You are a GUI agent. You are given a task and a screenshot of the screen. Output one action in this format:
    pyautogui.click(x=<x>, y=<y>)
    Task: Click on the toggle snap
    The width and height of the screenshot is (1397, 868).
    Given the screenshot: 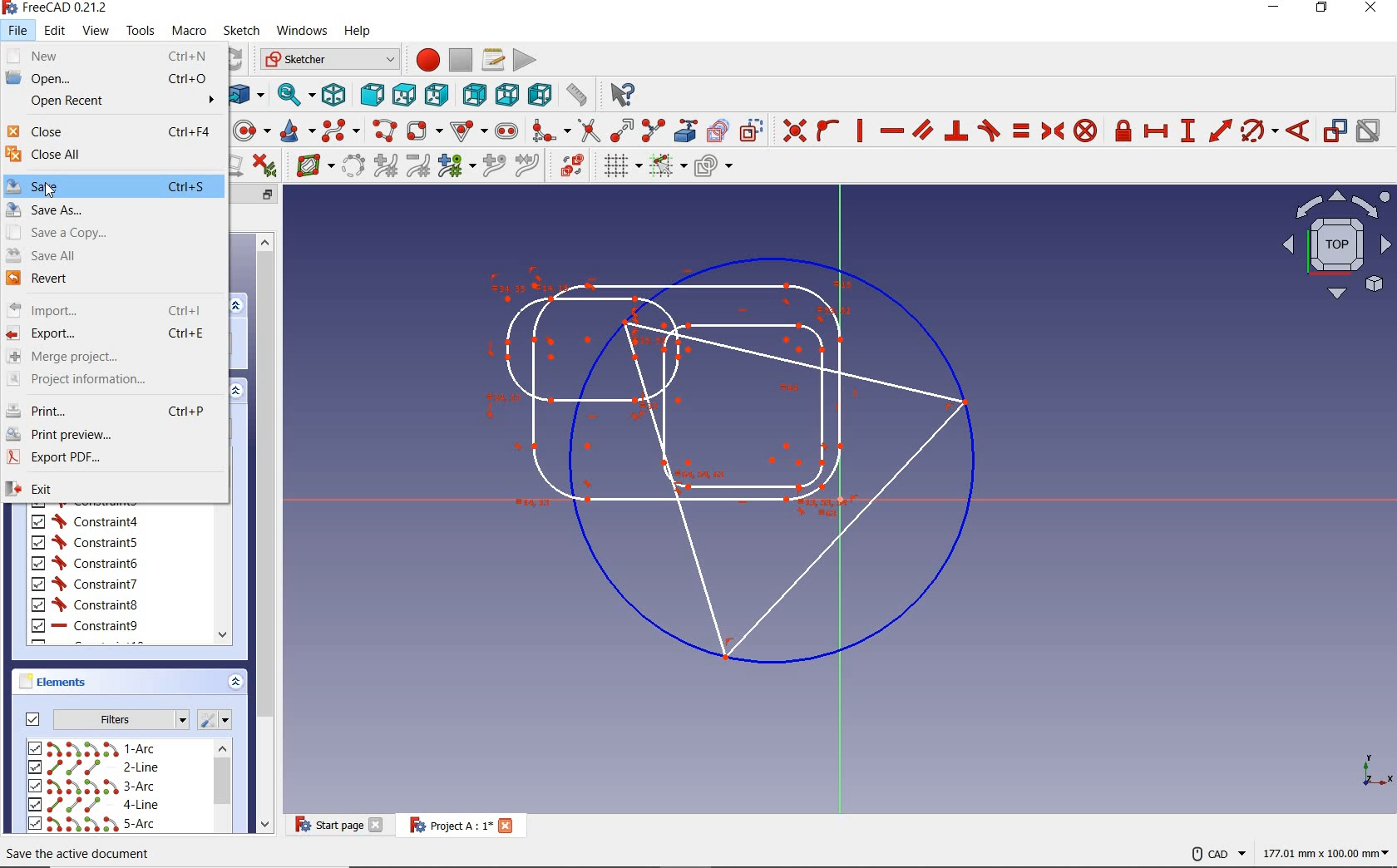 What is the action you would take?
    pyautogui.click(x=665, y=167)
    